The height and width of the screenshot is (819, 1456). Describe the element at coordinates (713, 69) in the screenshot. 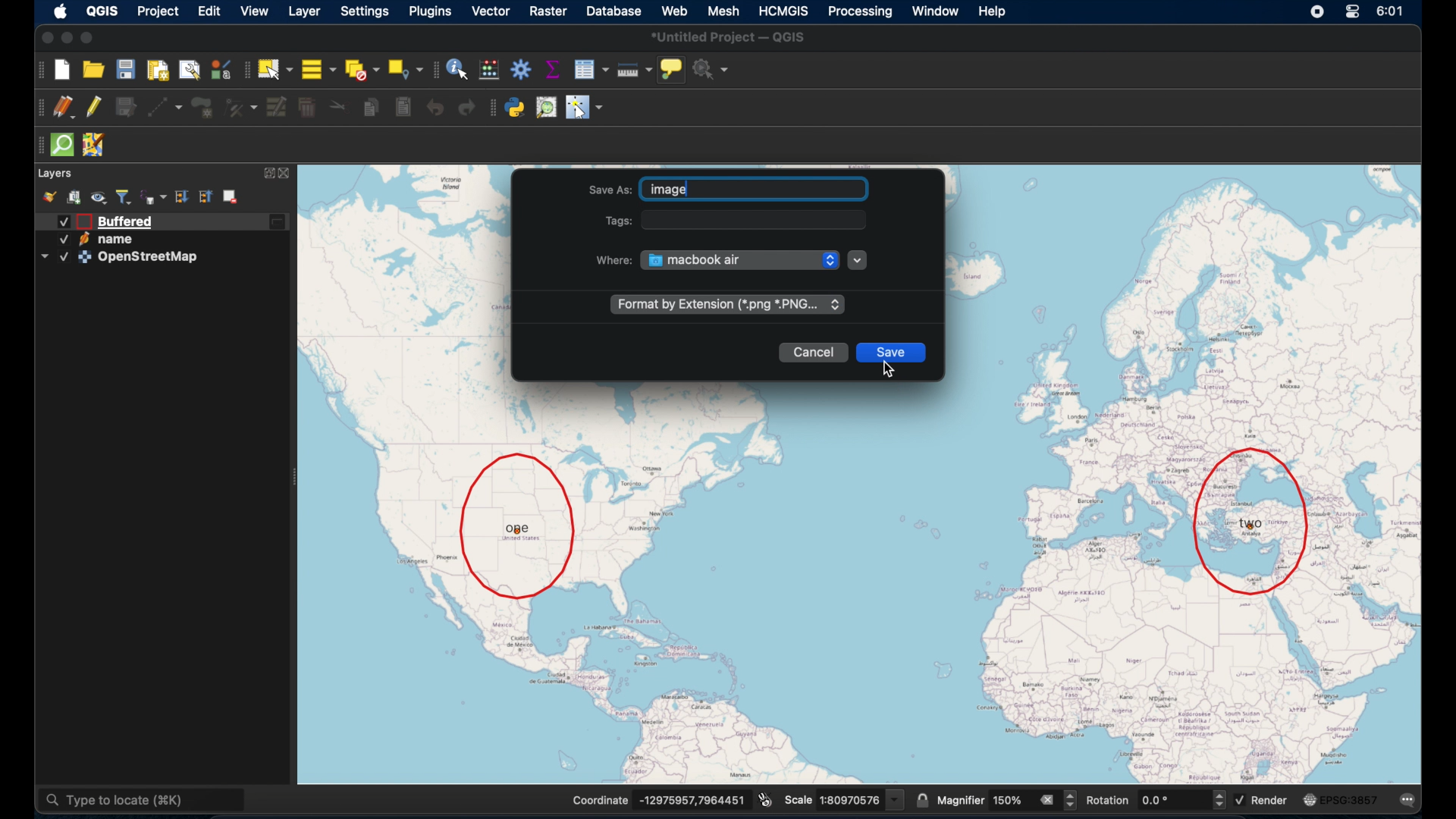

I see `no action selected` at that location.